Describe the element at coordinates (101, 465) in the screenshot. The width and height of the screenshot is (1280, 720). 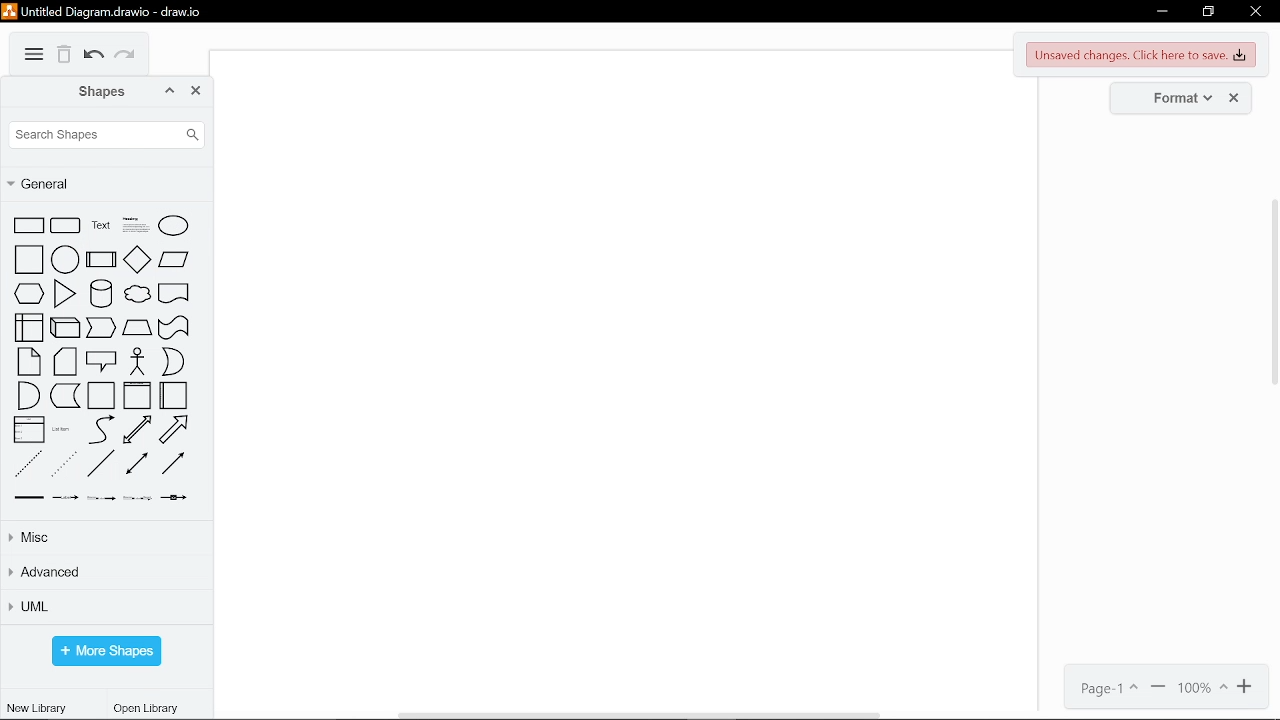
I see `line` at that location.